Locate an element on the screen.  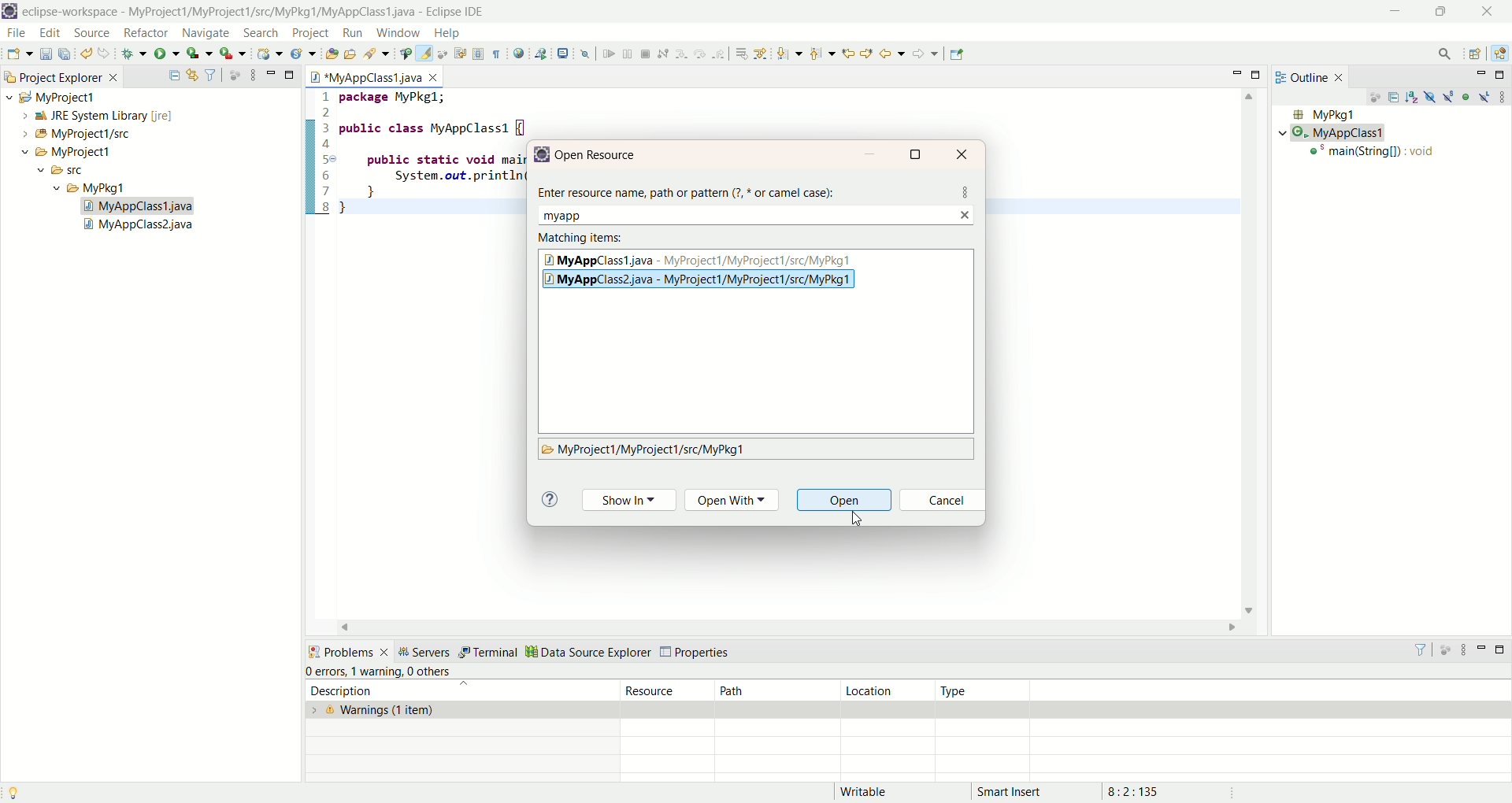
launch web service explorer is located at coordinates (541, 53).